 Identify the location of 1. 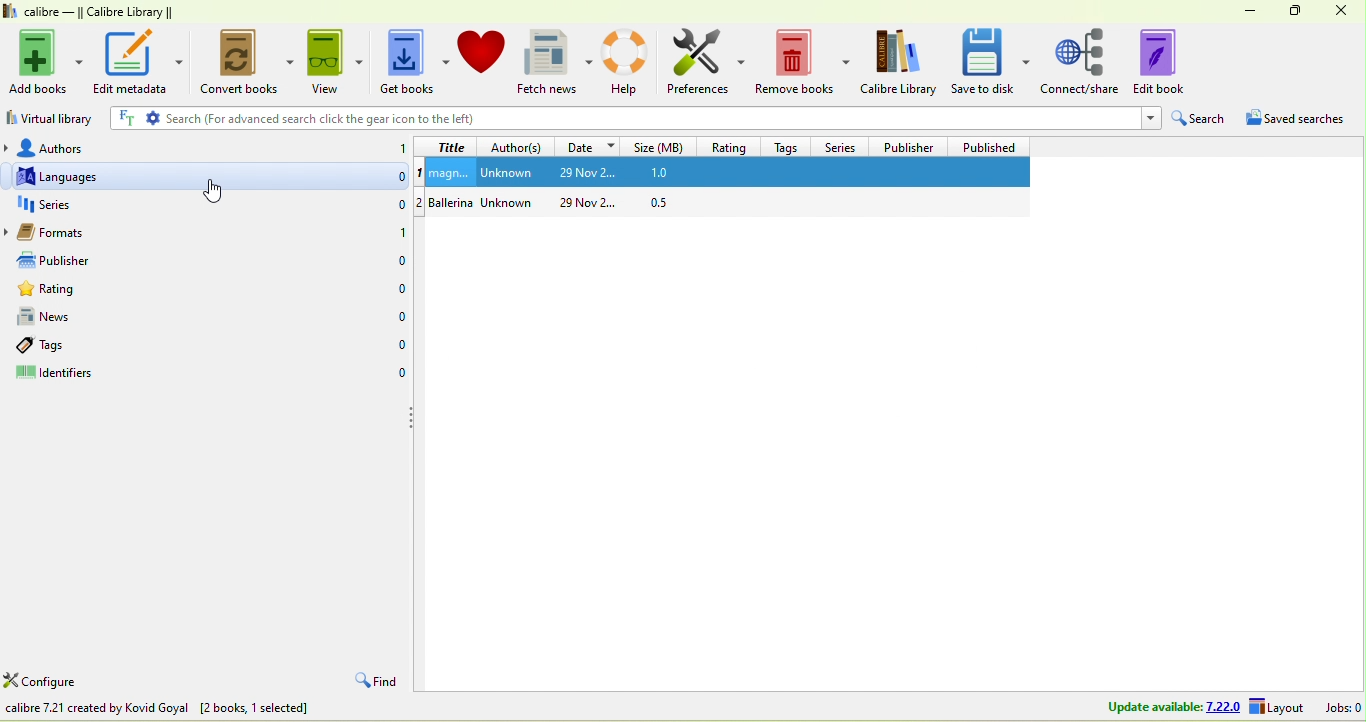
(400, 152).